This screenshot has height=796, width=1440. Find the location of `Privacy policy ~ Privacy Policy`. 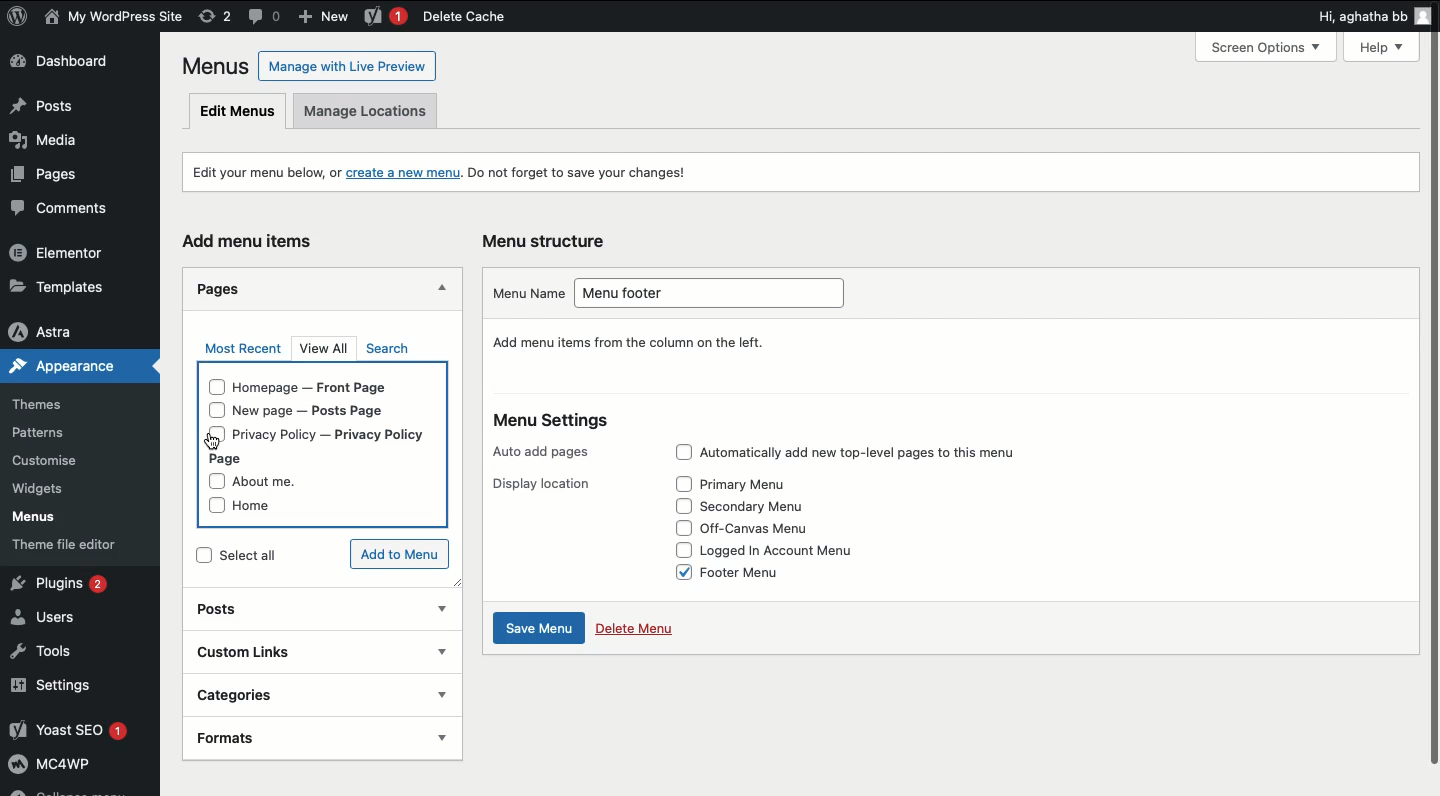

Privacy policy ~ Privacy Policy is located at coordinates (345, 434).